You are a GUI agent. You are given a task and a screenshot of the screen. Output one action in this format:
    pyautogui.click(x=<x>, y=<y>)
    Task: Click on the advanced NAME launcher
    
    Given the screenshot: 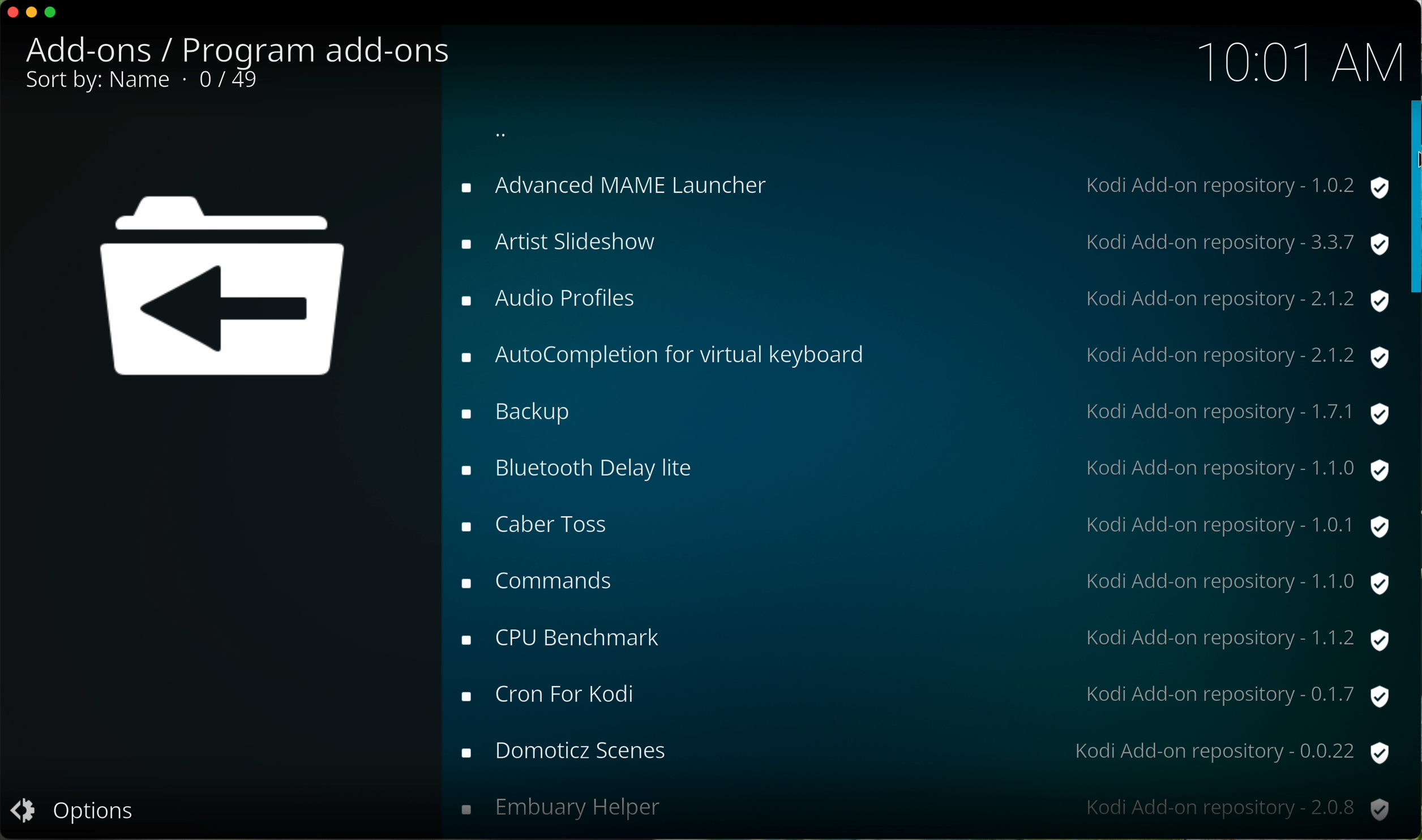 What is the action you would take?
    pyautogui.click(x=922, y=190)
    